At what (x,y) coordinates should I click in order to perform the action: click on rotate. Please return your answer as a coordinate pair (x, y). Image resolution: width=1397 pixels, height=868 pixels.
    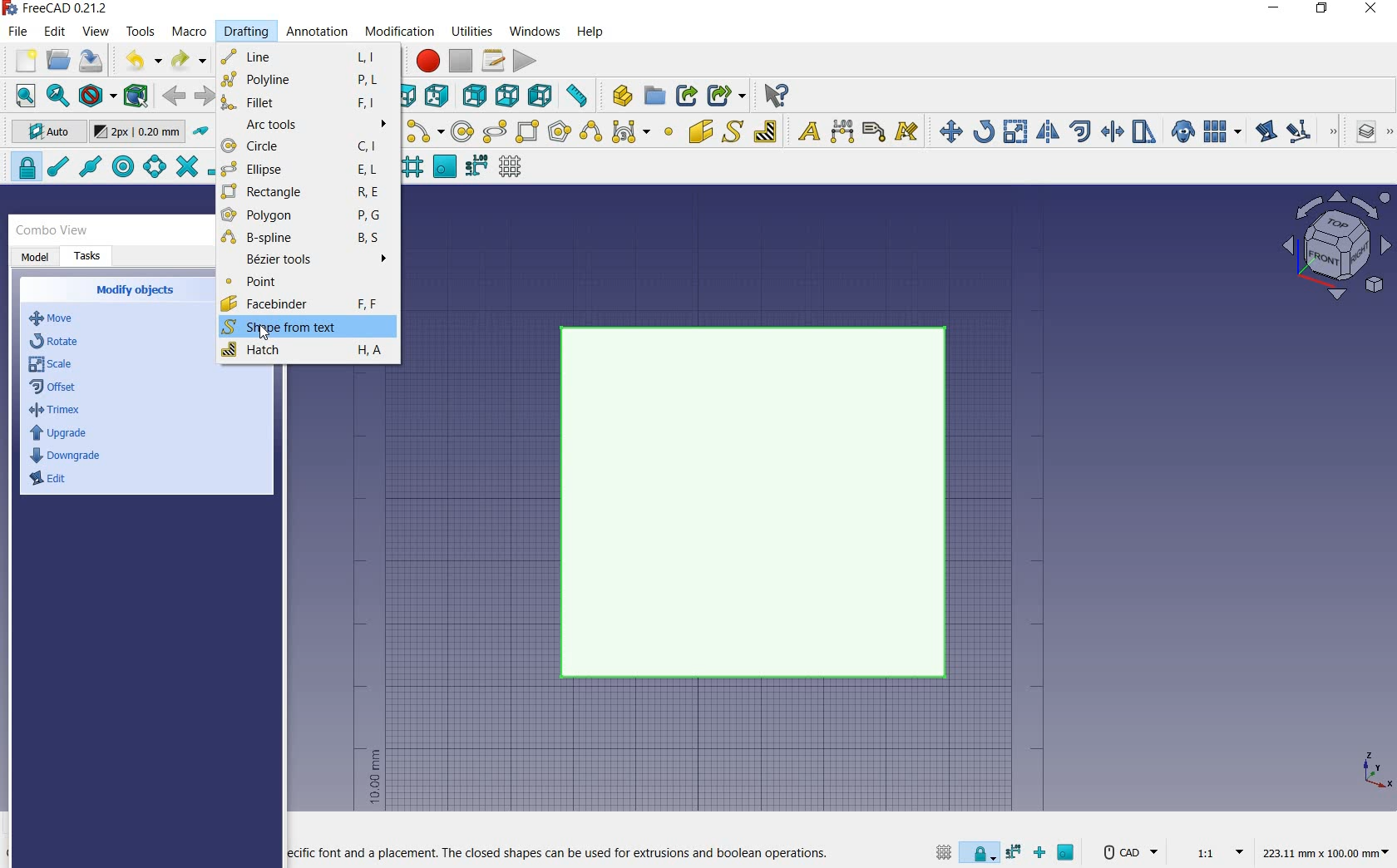
    Looking at the image, I should click on (57, 340).